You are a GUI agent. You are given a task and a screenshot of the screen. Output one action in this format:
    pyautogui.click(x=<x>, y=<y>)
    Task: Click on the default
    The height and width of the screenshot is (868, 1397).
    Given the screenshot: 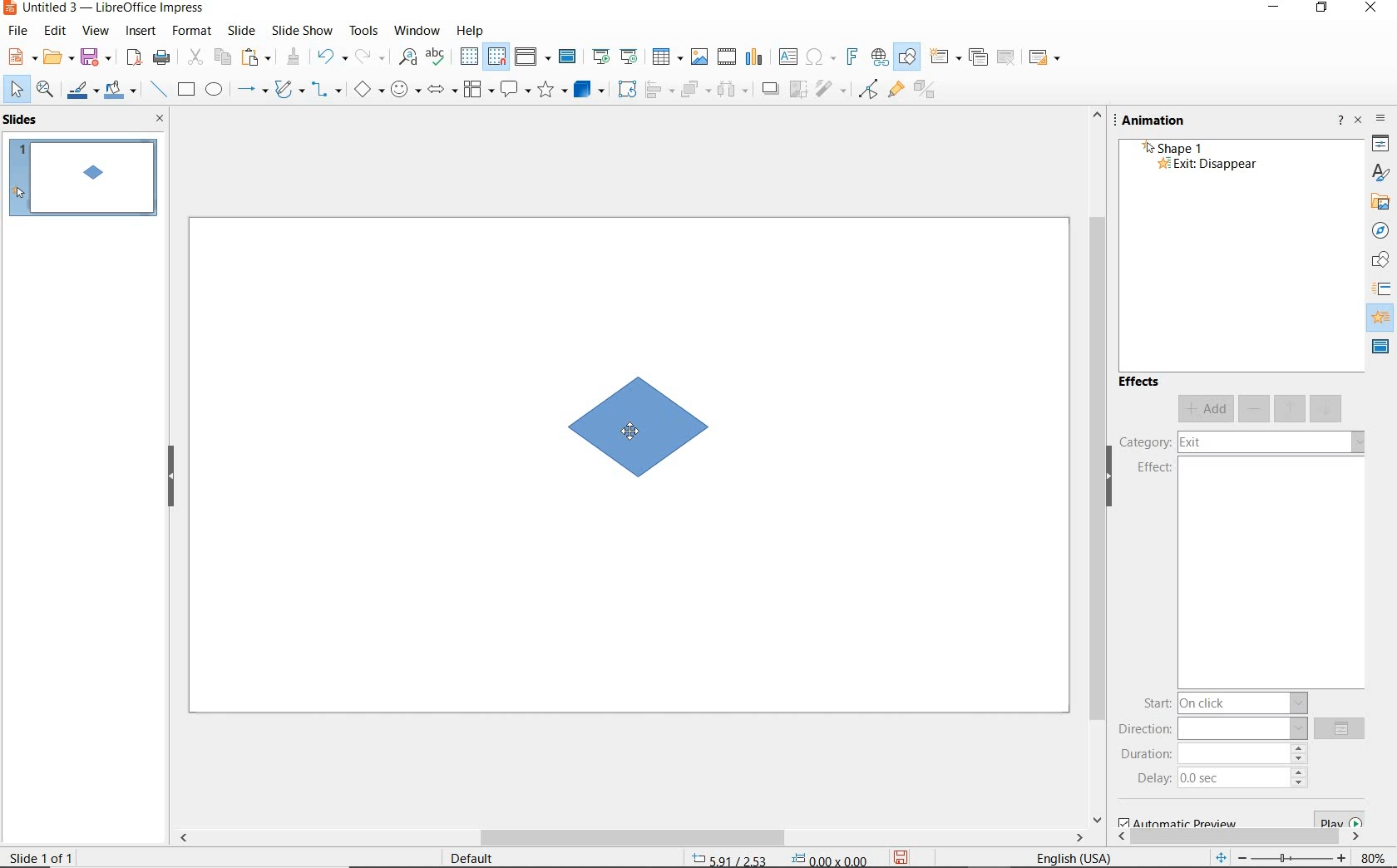 What is the action you would take?
    pyautogui.click(x=489, y=856)
    